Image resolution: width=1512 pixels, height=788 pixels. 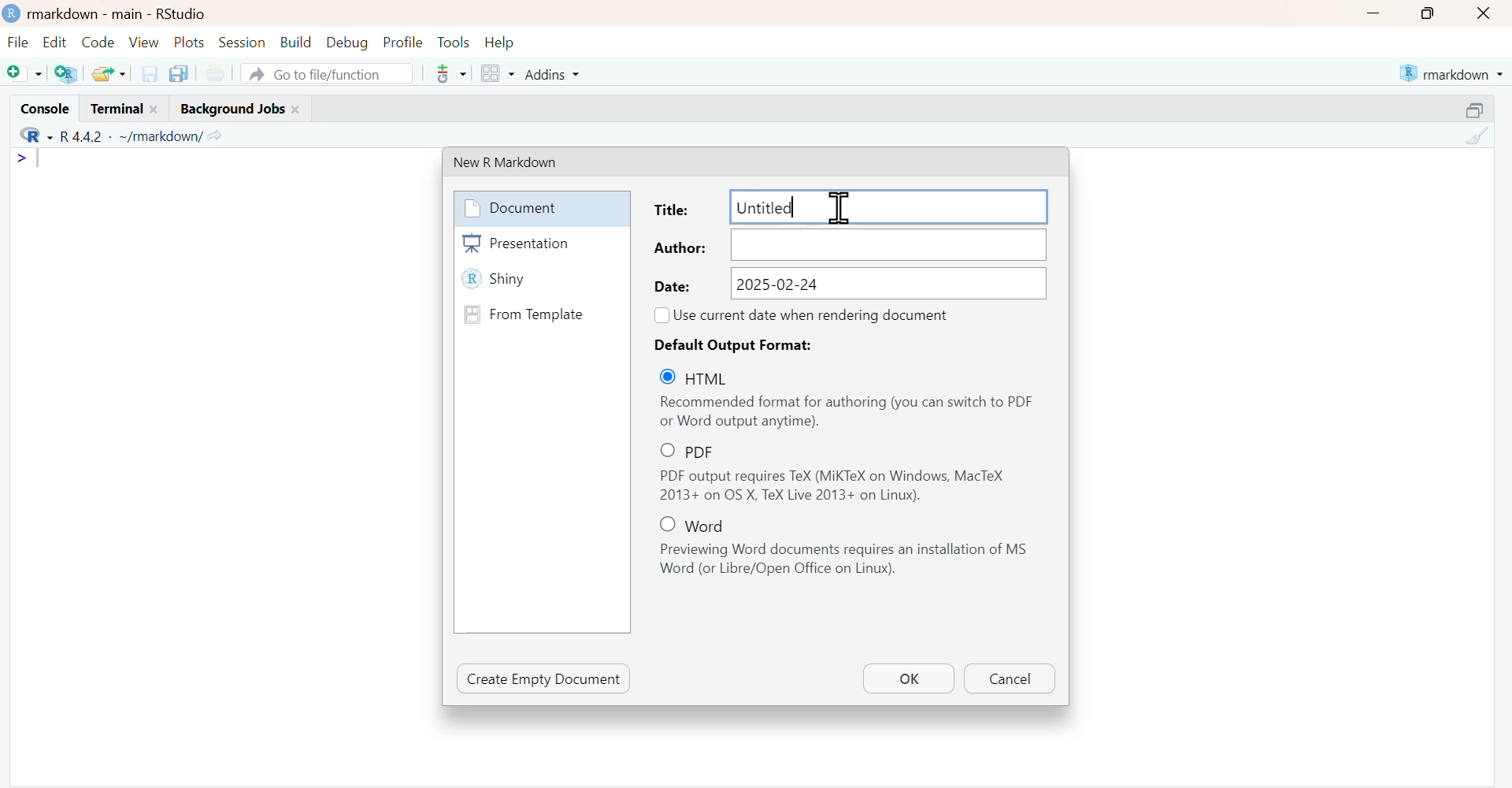 I want to click on git commit, so click(x=449, y=73).